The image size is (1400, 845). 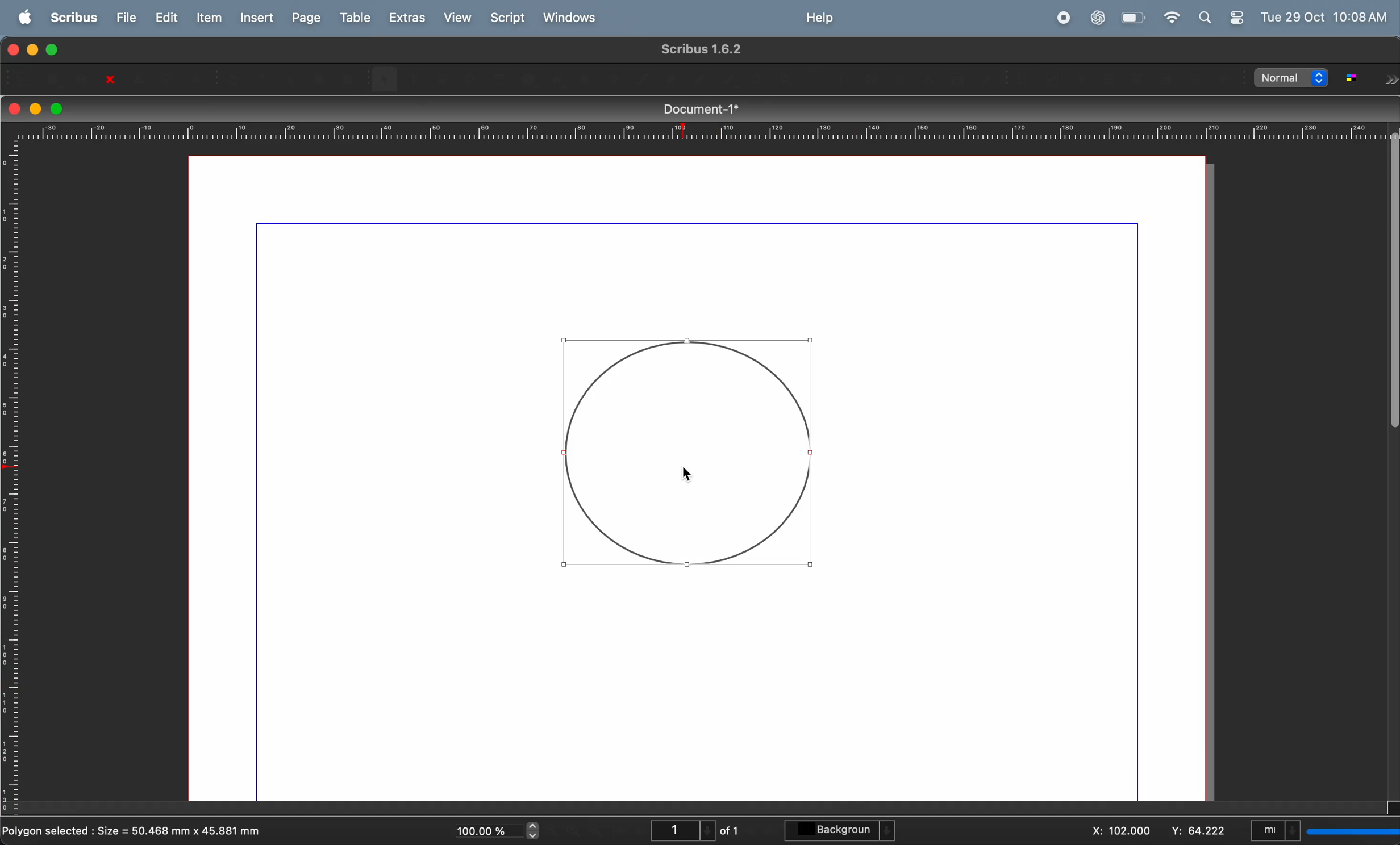 I want to click on forward, so click(x=1391, y=78).